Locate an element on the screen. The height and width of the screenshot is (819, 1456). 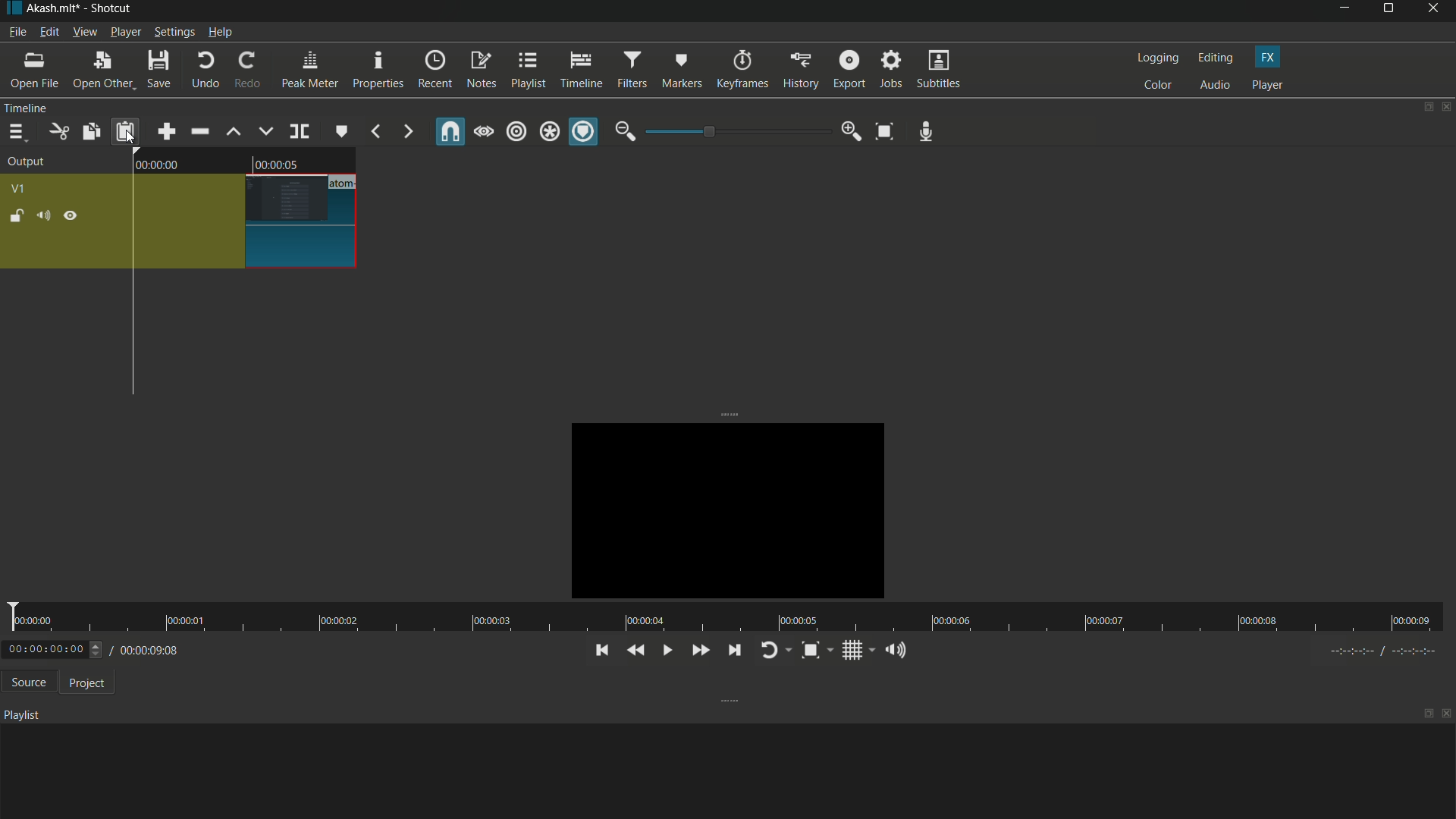
Timeline is located at coordinates (54, 108).